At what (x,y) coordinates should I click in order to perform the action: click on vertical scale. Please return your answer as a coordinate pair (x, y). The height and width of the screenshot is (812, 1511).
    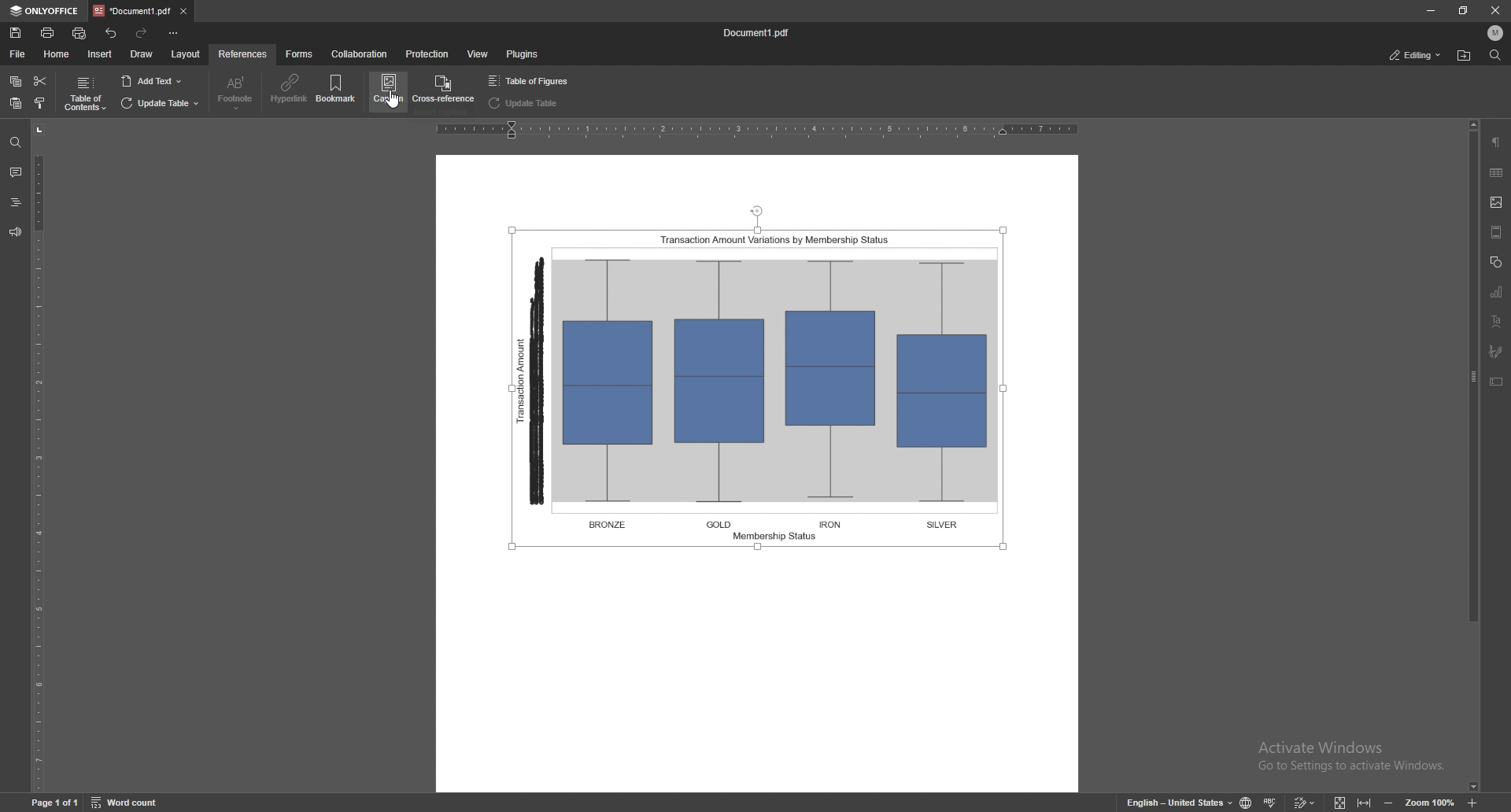
    Looking at the image, I should click on (45, 457).